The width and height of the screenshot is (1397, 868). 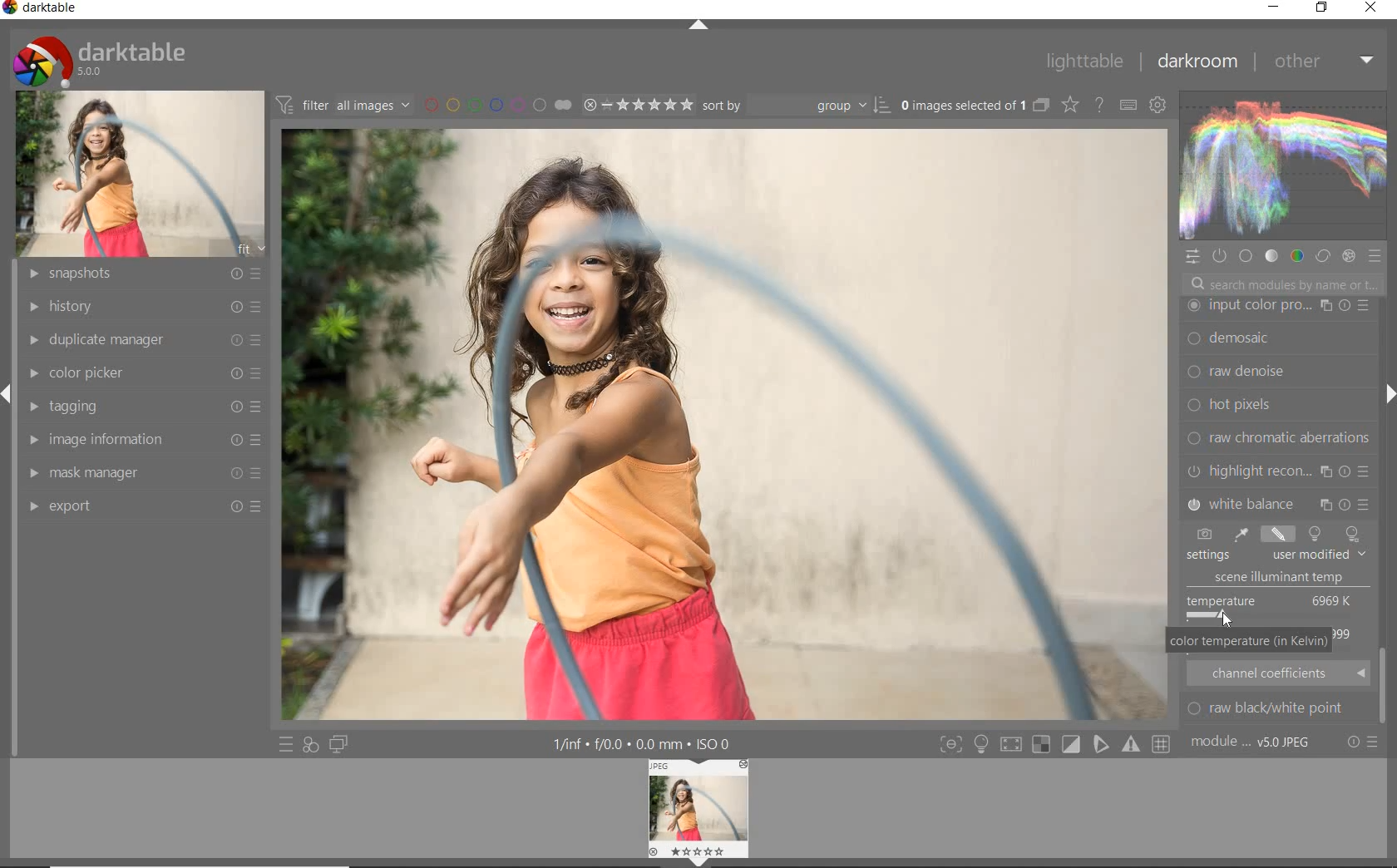 I want to click on selected images, so click(x=961, y=105).